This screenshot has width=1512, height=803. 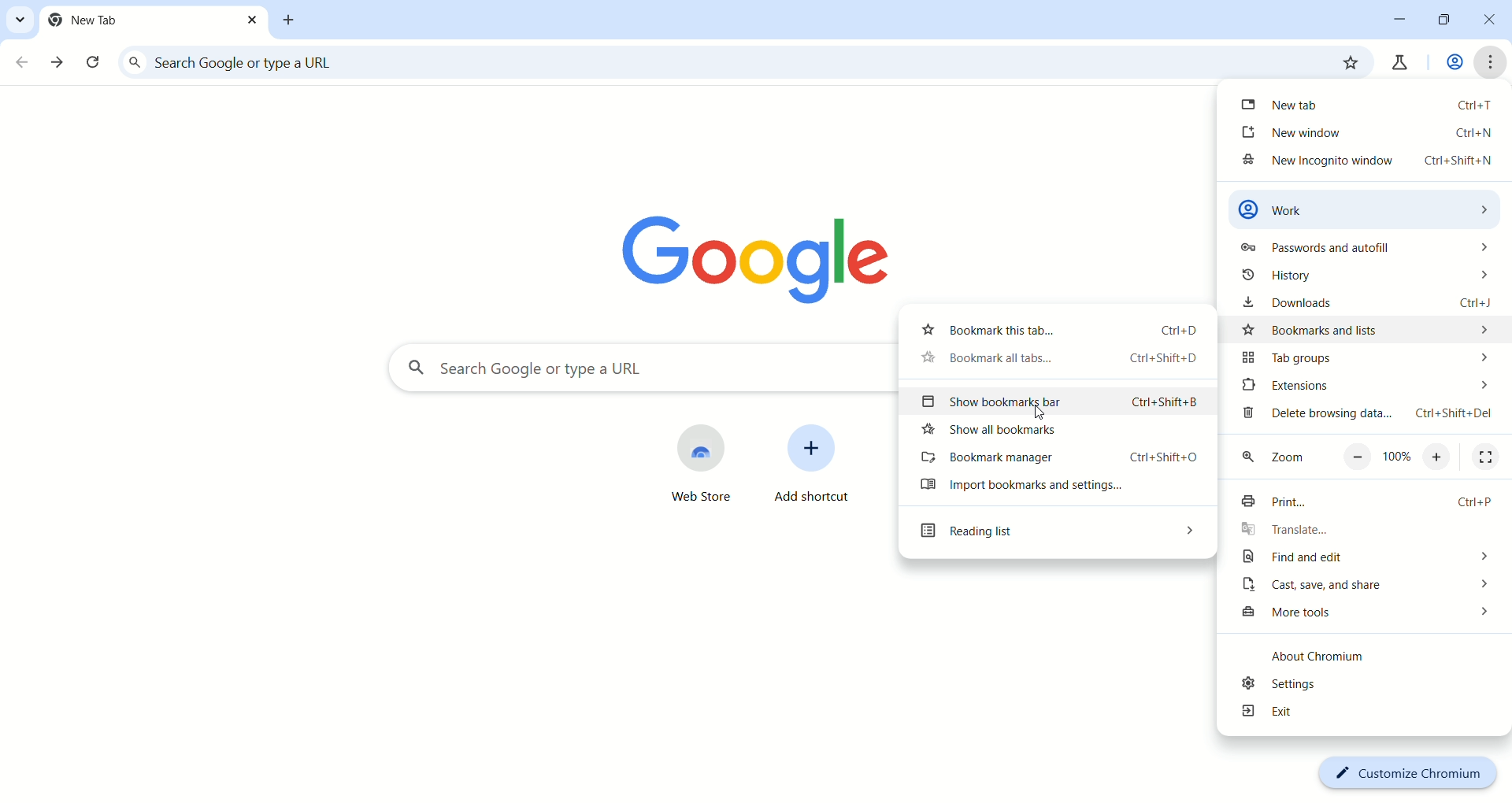 I want to click on work, so click(x=1368, y=208).